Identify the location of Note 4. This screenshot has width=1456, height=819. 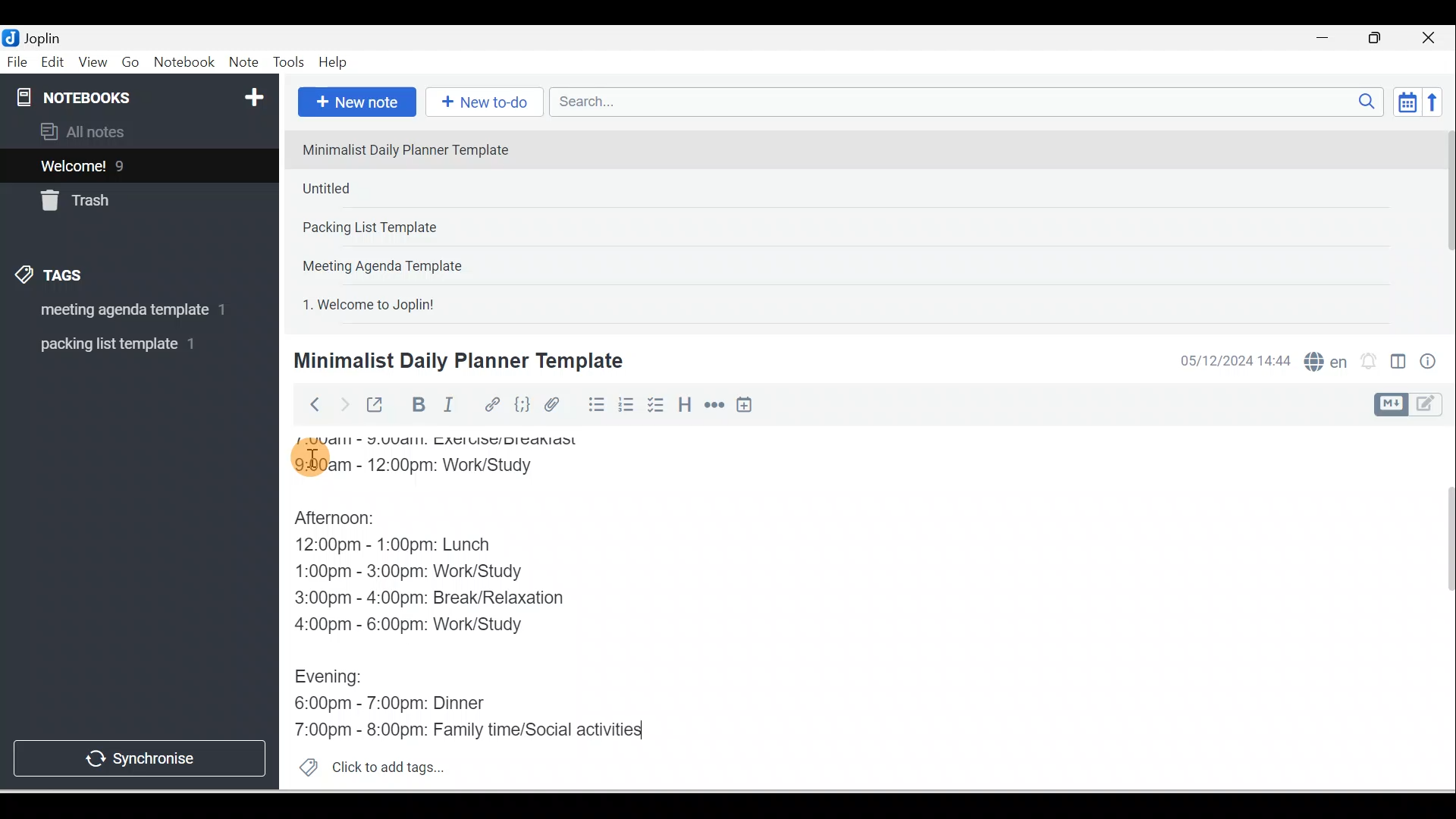
(403, 262).